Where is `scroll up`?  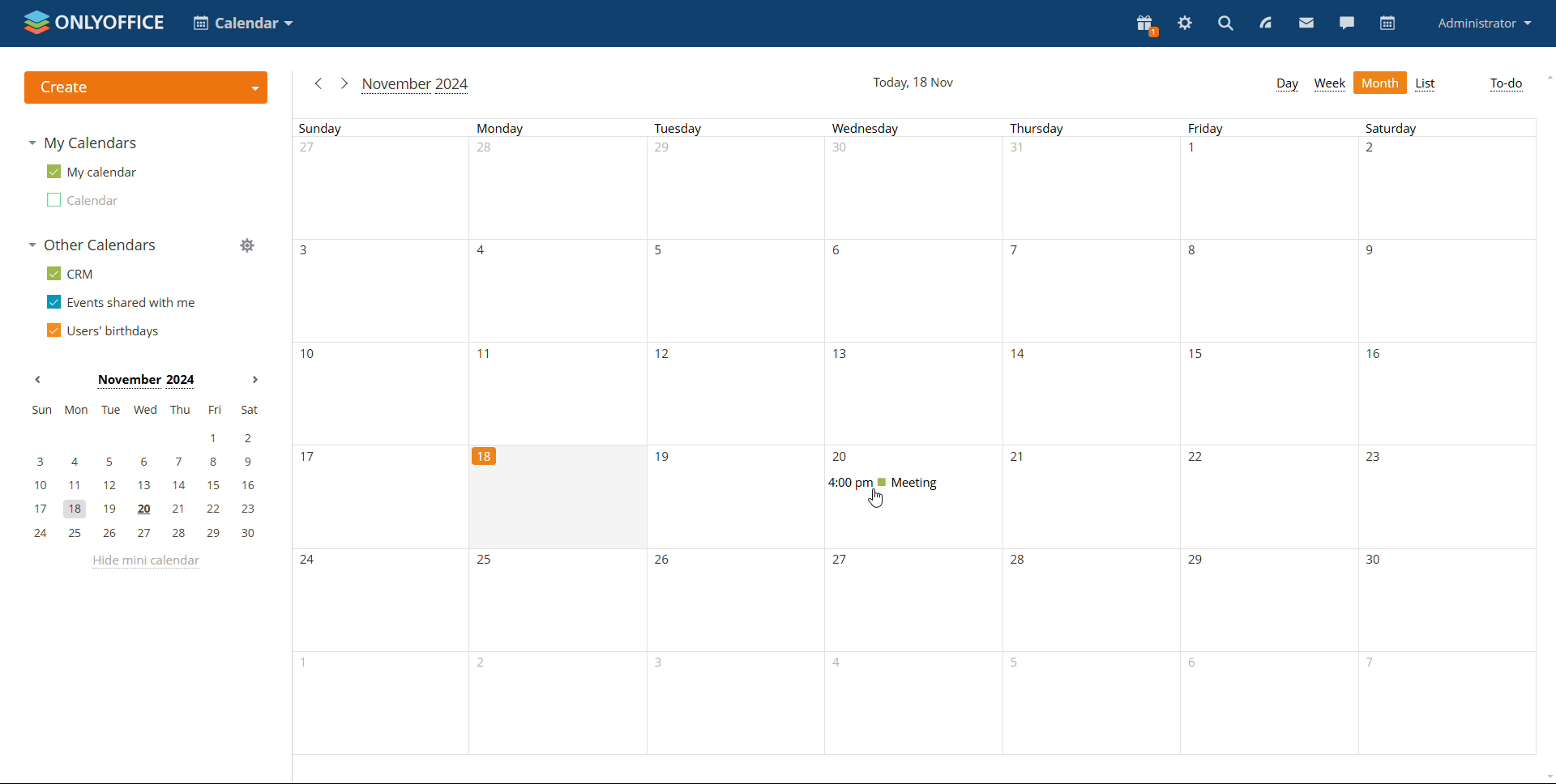 scroll up is located at coordinates (1546, 78).